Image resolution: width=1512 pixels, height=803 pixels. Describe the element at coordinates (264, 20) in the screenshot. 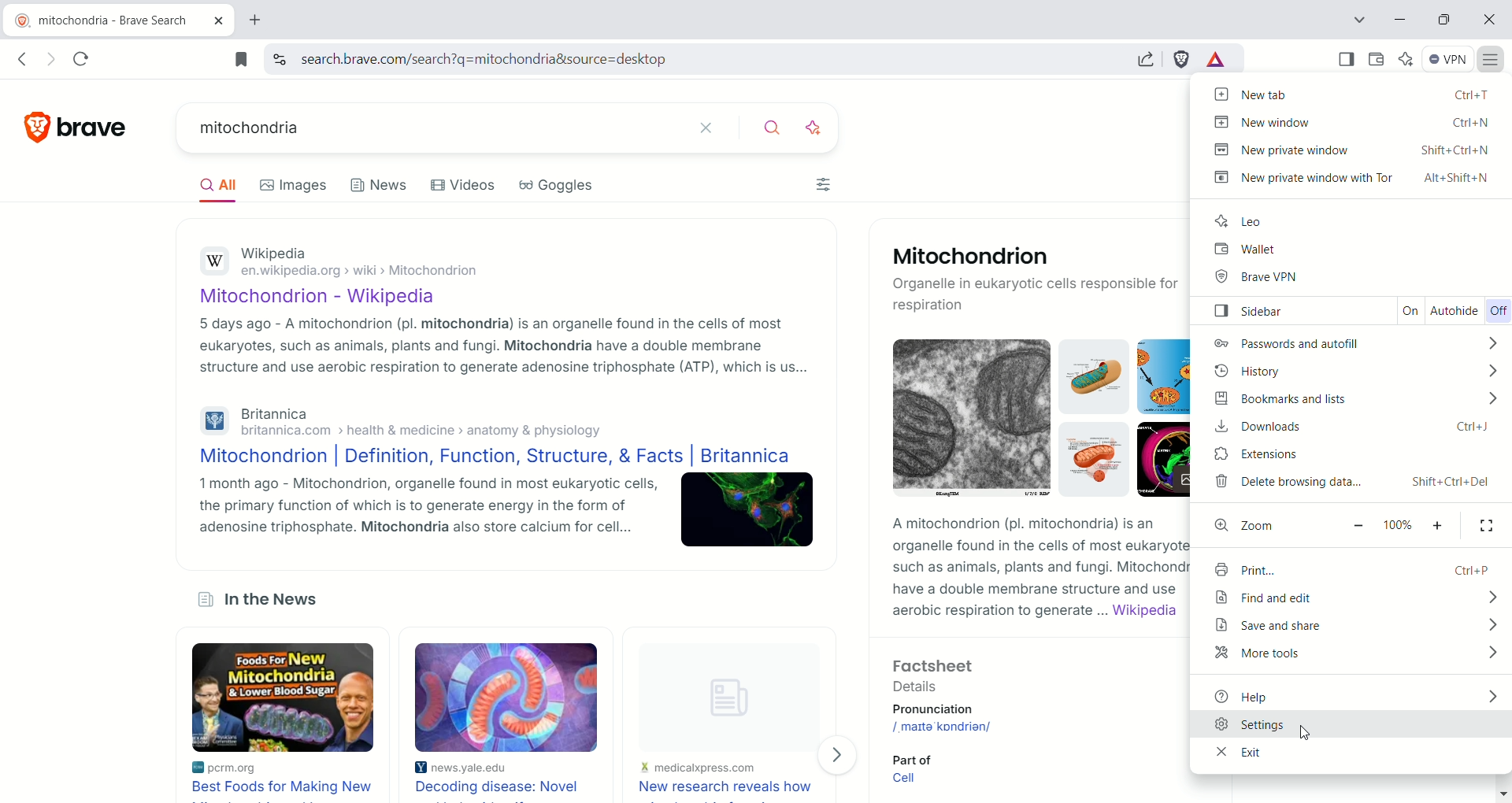

I see `new tab` at that location.